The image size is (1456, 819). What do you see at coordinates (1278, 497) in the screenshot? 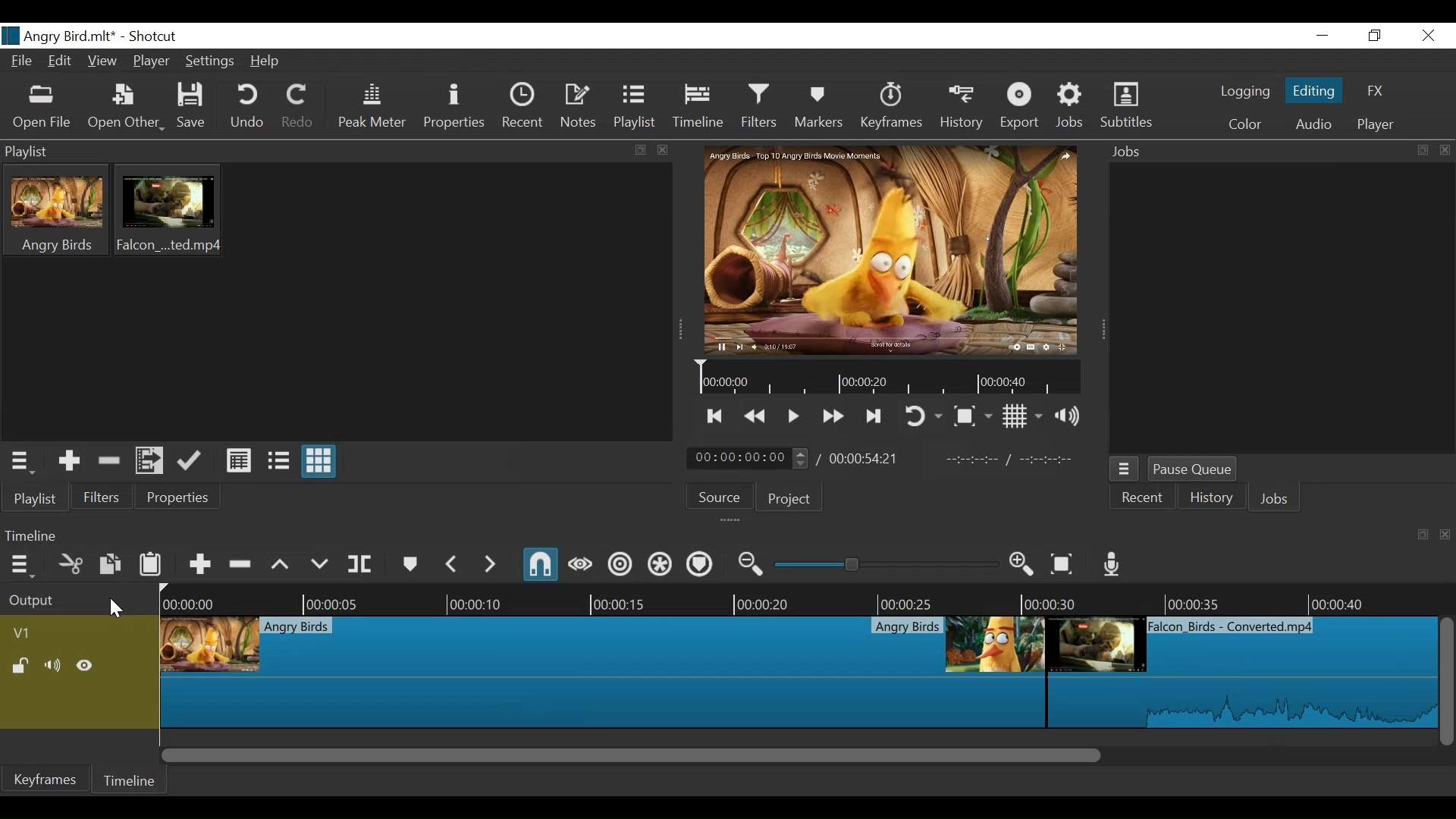
I see `Jobs` at bounding box center [1278, 497].